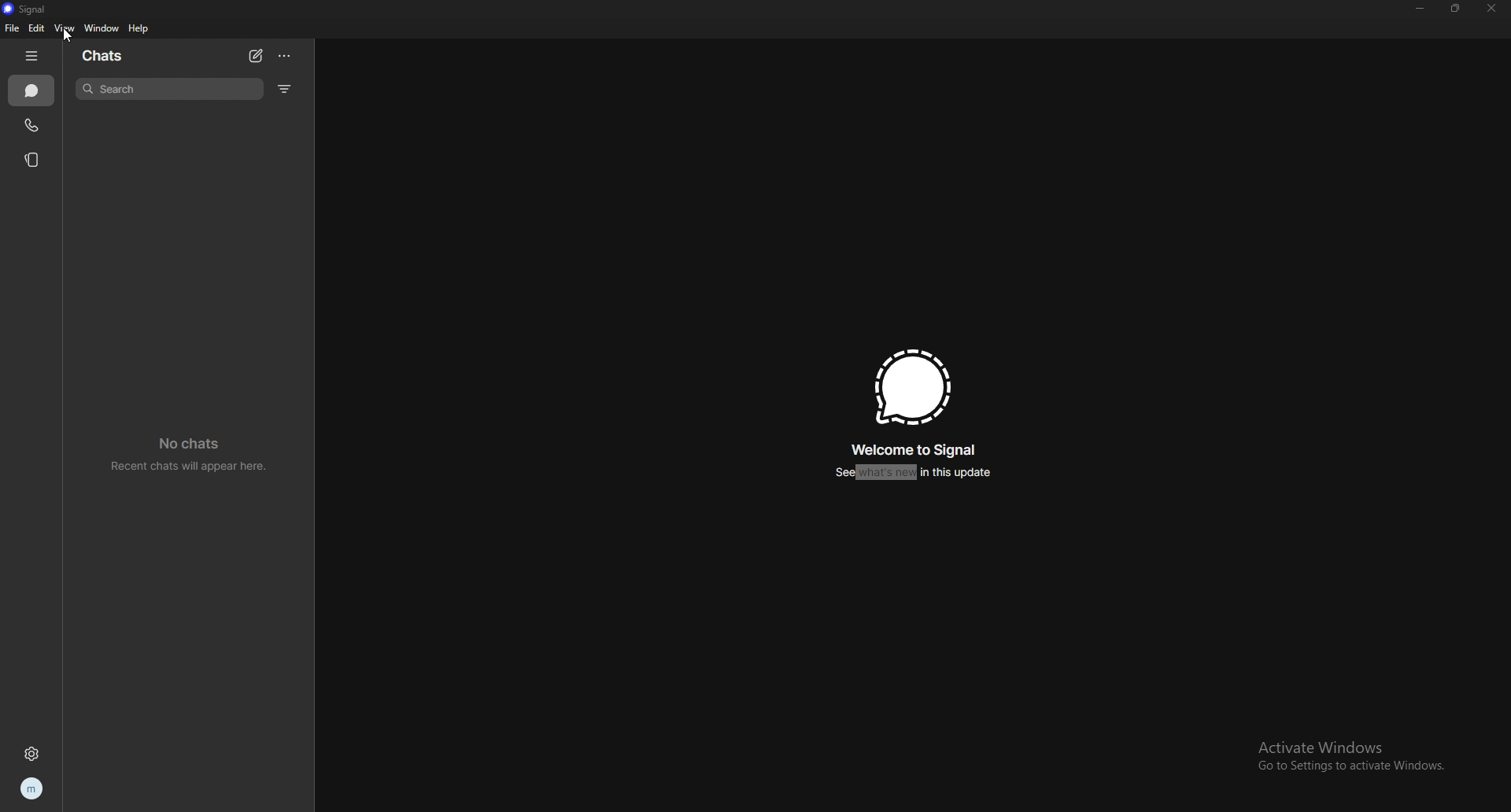  What do you see at coordinates (36, 28) in the screenshot?
I see `edit` at bounding box center [36, 28].